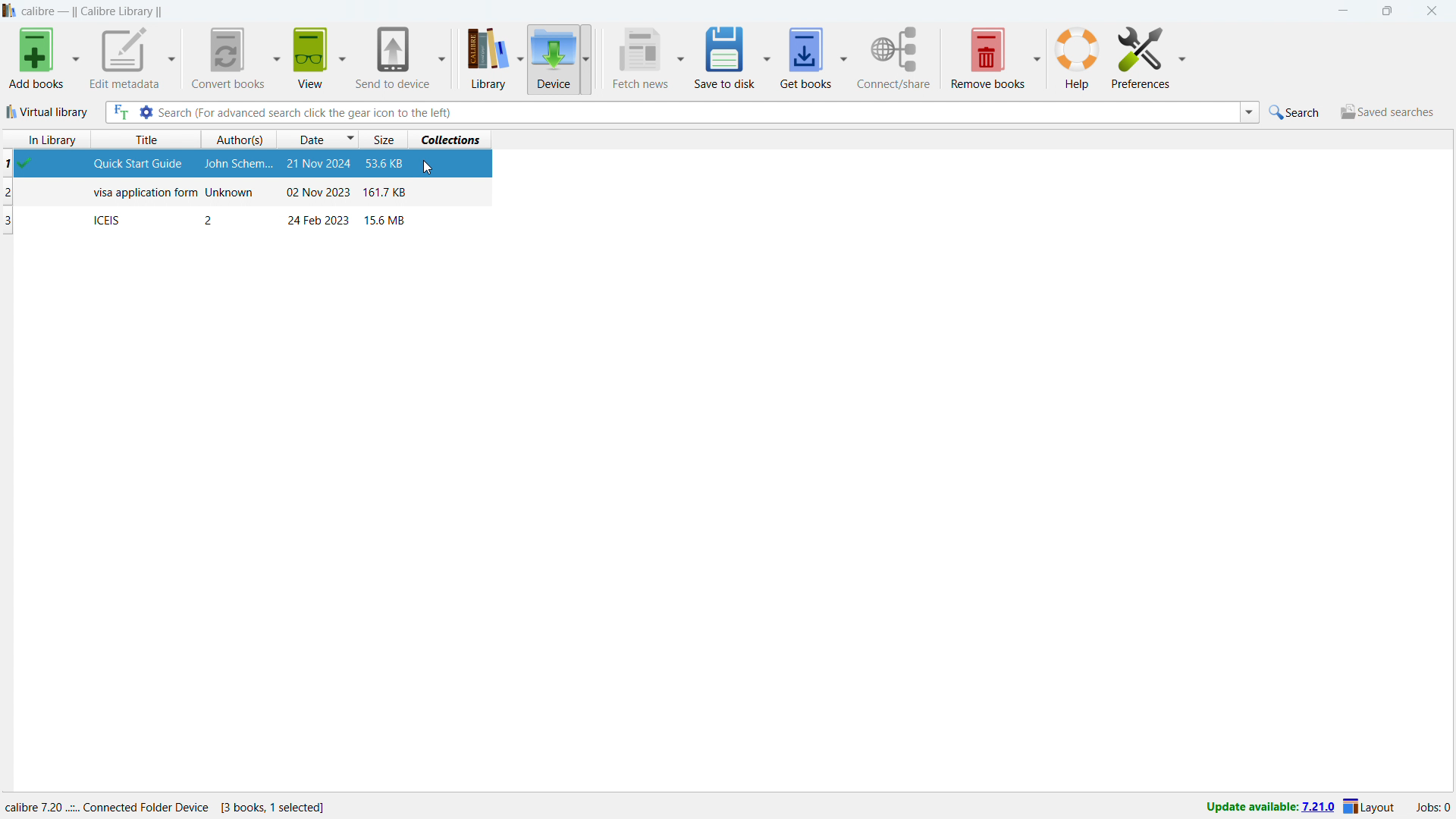 The height and width of the screenshot is (819, 1456). What do you see at coordinates (275, 57) in the screenshot?
I see `convert books options` at bounding box center [275, 57].